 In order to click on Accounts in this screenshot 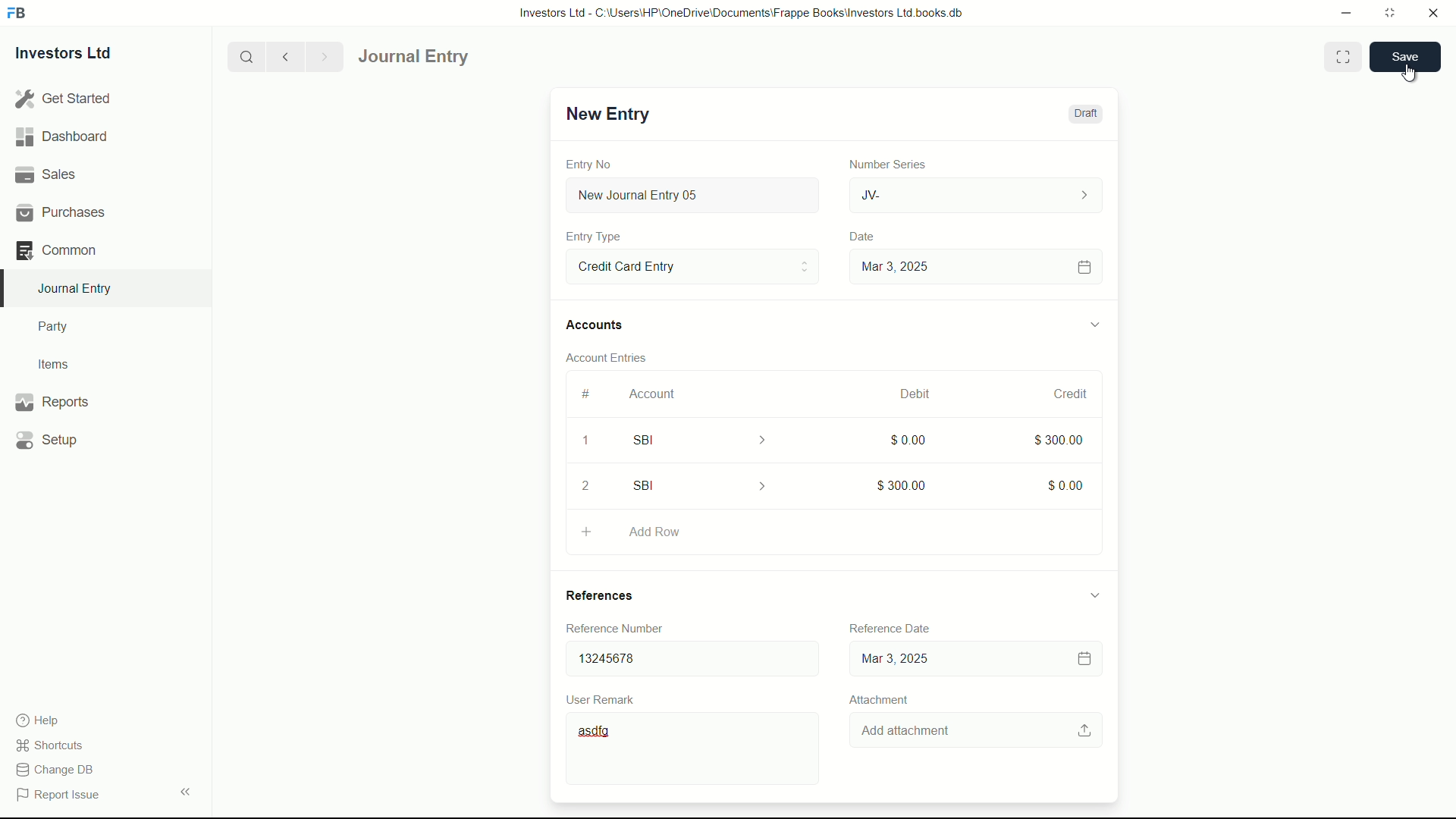, I will do `click(598, 325)`.